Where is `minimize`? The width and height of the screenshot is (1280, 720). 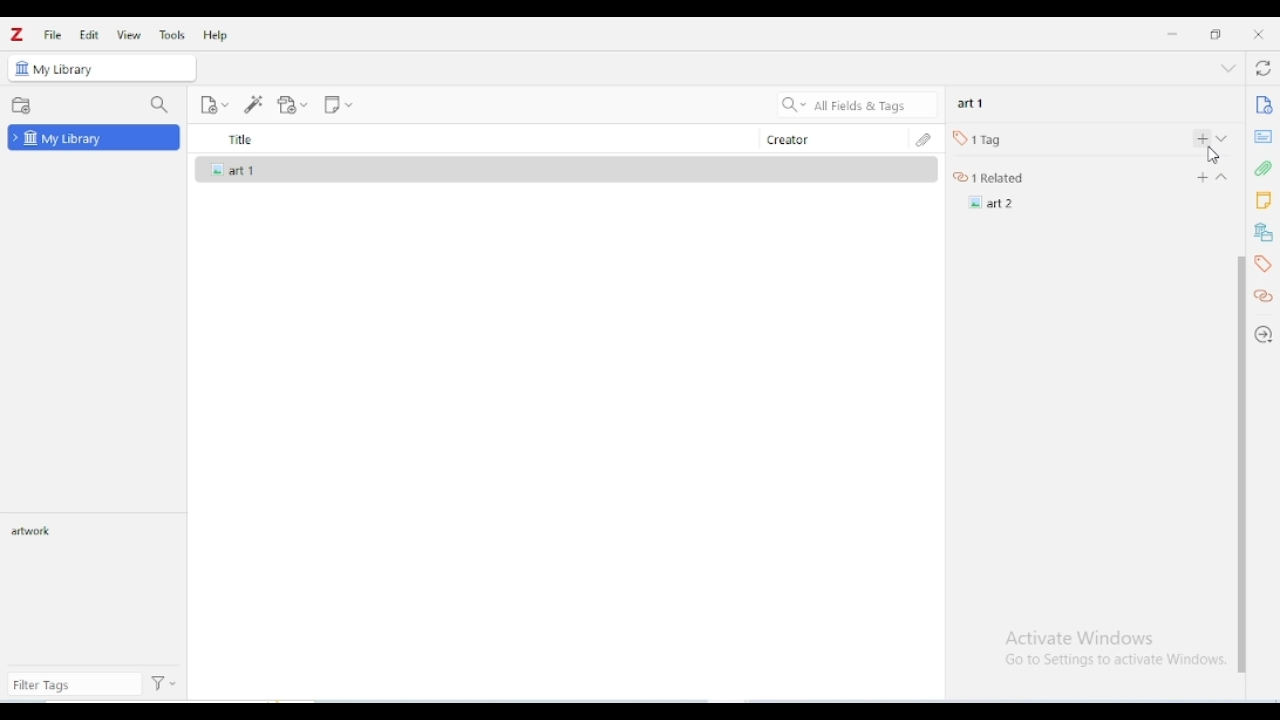 minimize is located at coordinates (1172, 33).